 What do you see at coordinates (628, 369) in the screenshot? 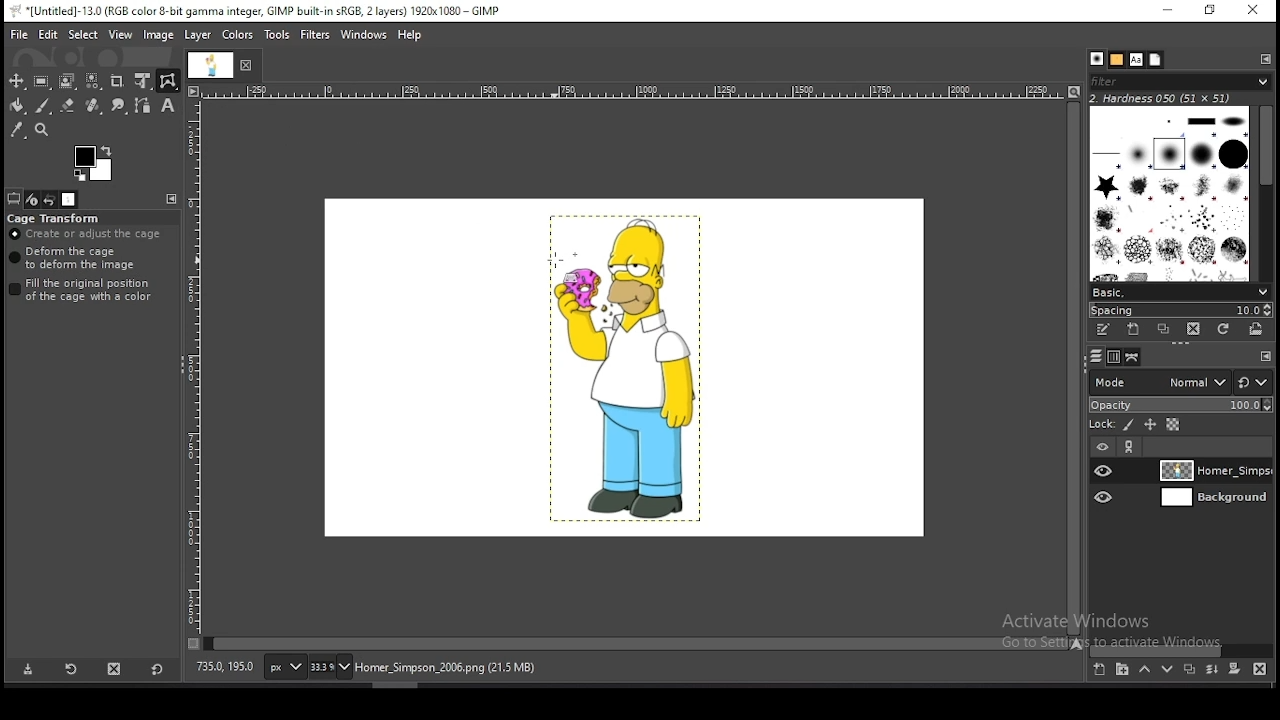
I see `image` at bounding box center [628, 369].